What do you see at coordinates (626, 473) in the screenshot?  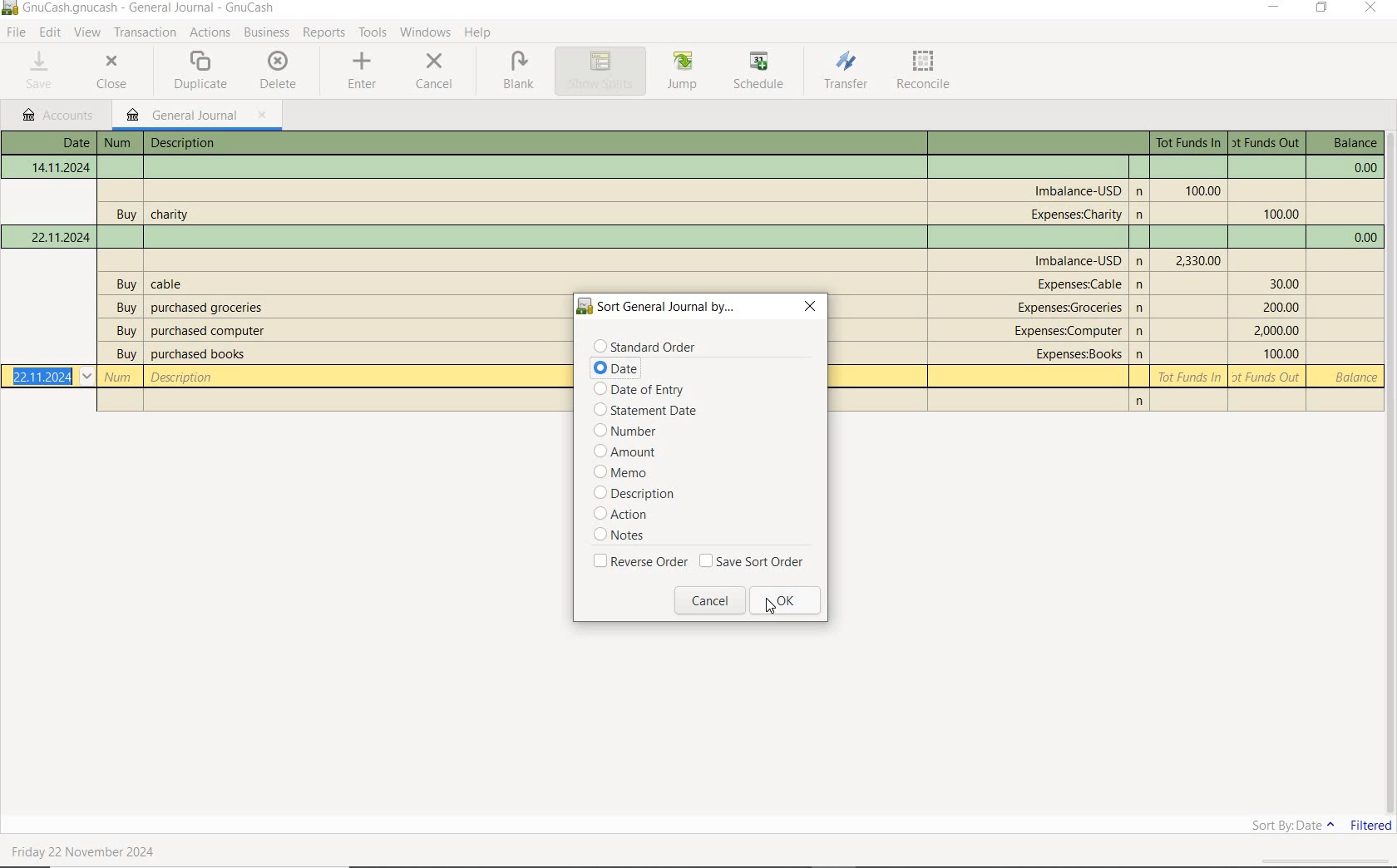 I see `memo` at bounding box center [626, 473].